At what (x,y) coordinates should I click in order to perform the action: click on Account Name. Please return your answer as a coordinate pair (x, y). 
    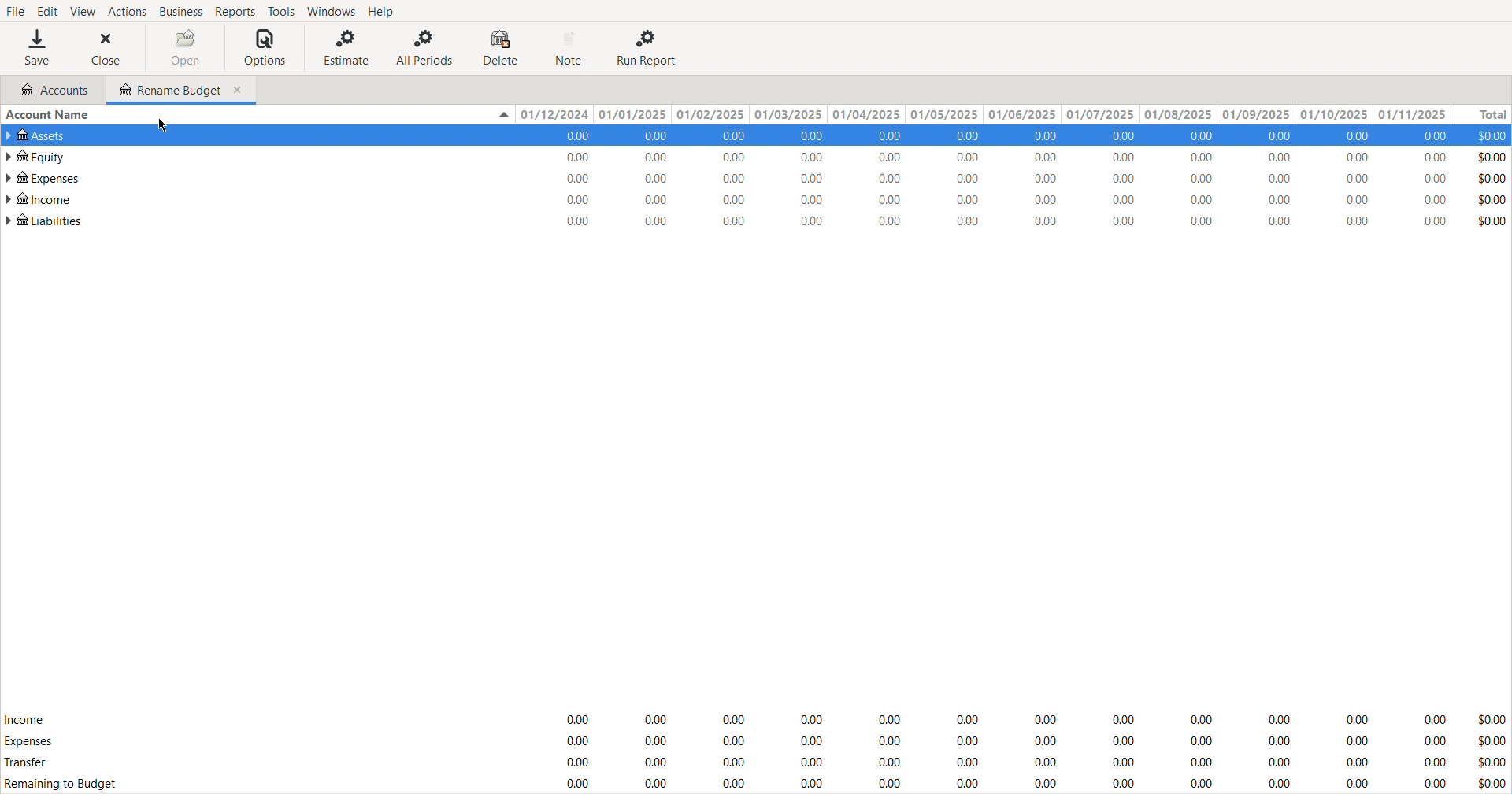
    Looking at the image, I should click on (50, 115).